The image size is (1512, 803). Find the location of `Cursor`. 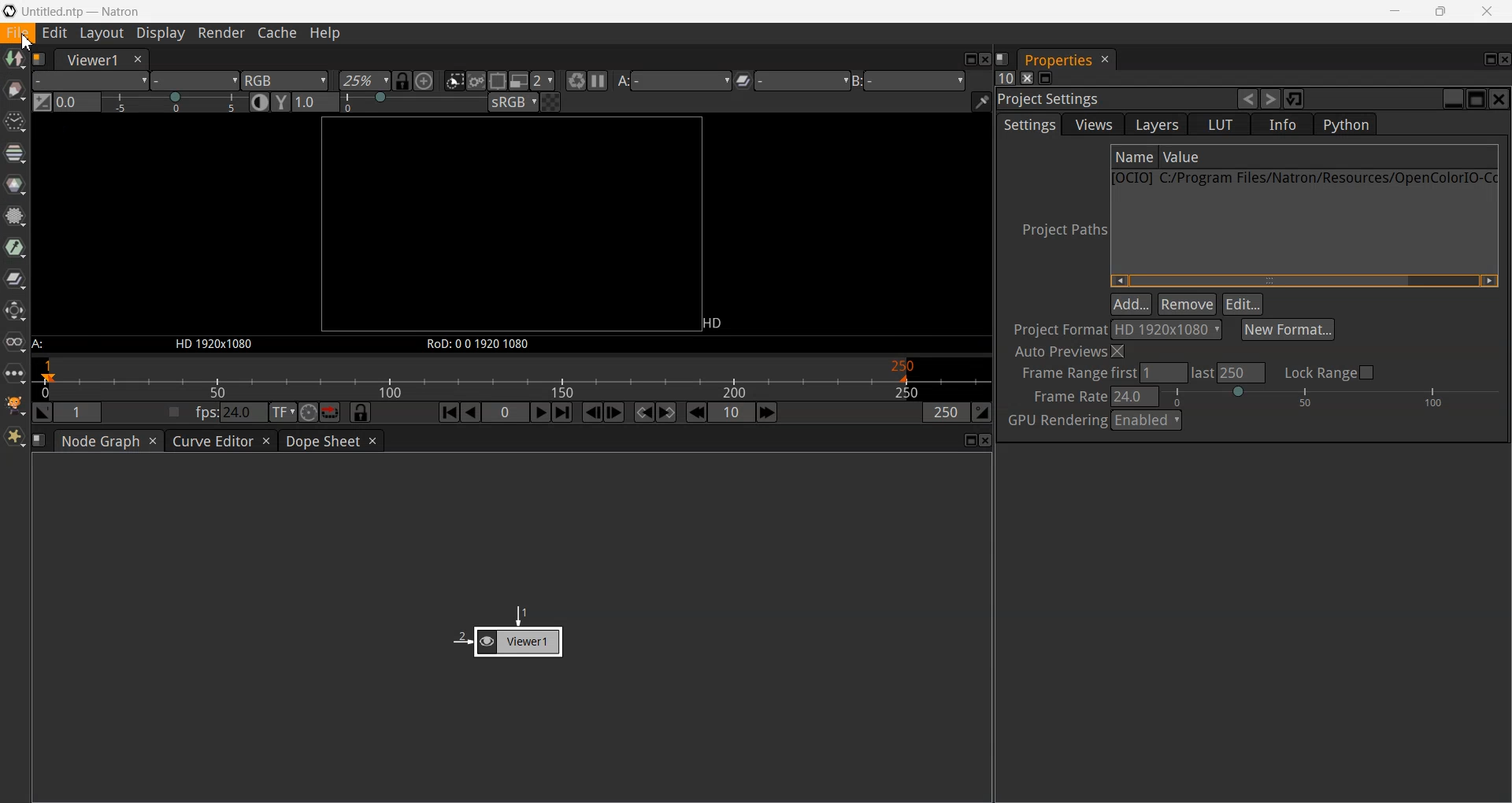

Cursor is located at coordinates (27, 43).